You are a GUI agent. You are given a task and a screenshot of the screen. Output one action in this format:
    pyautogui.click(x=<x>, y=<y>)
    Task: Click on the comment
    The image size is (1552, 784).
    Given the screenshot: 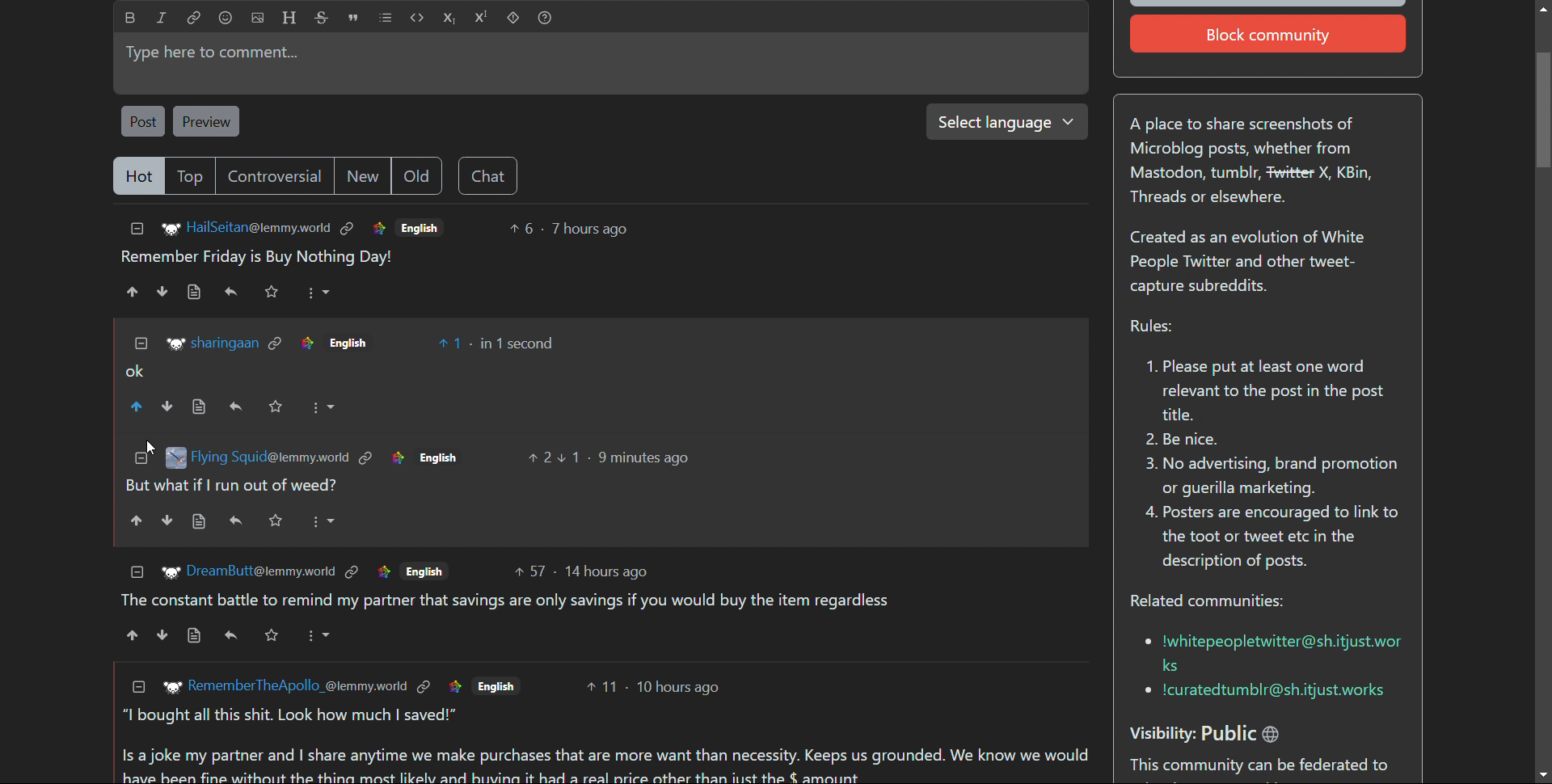 What is the action you would take?
    pyautogui.click(x=257, y=258)
    